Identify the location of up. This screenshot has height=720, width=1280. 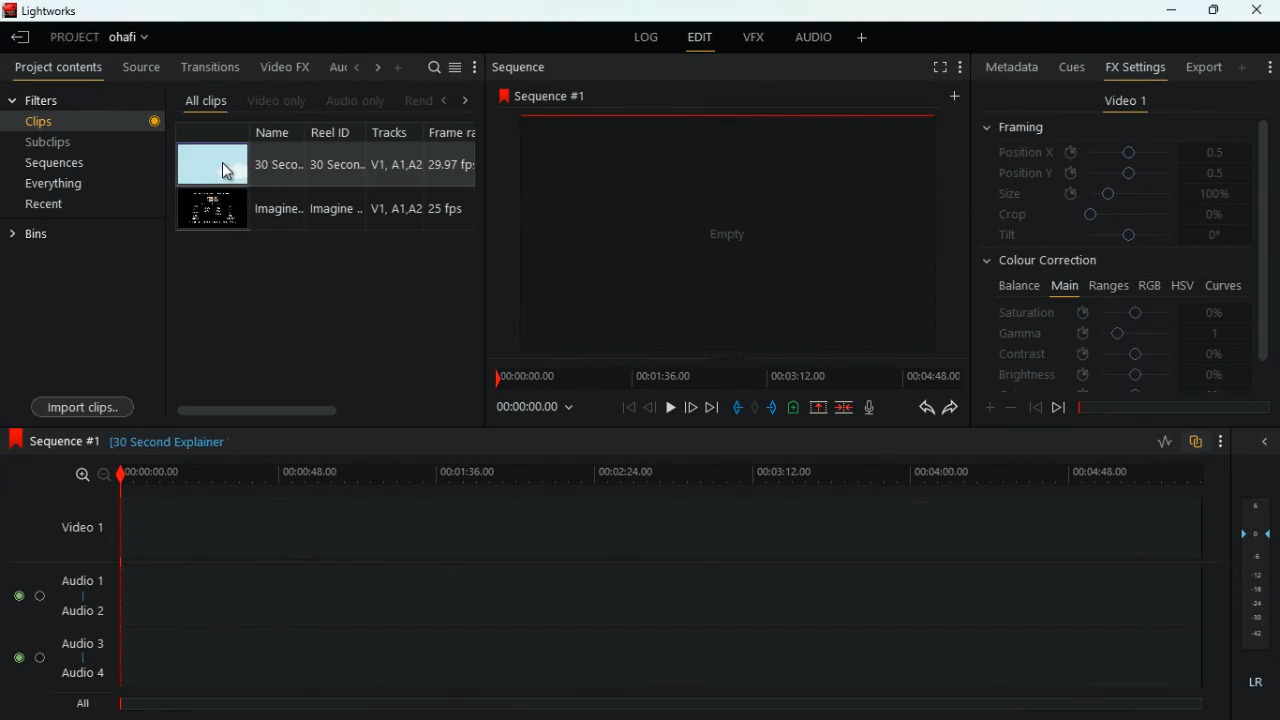
(818, 408).